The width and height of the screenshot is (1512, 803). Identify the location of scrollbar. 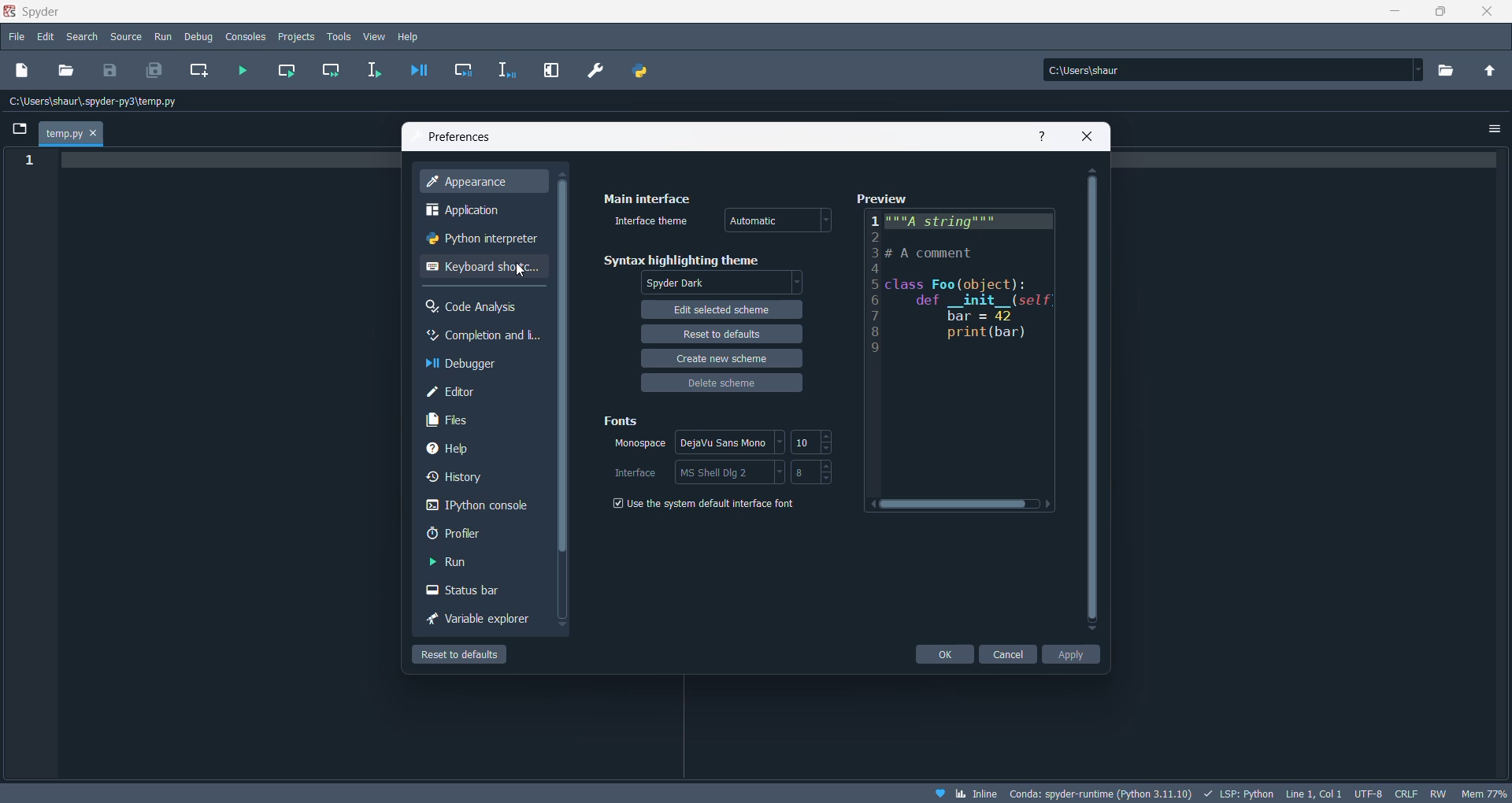
(561, 370).